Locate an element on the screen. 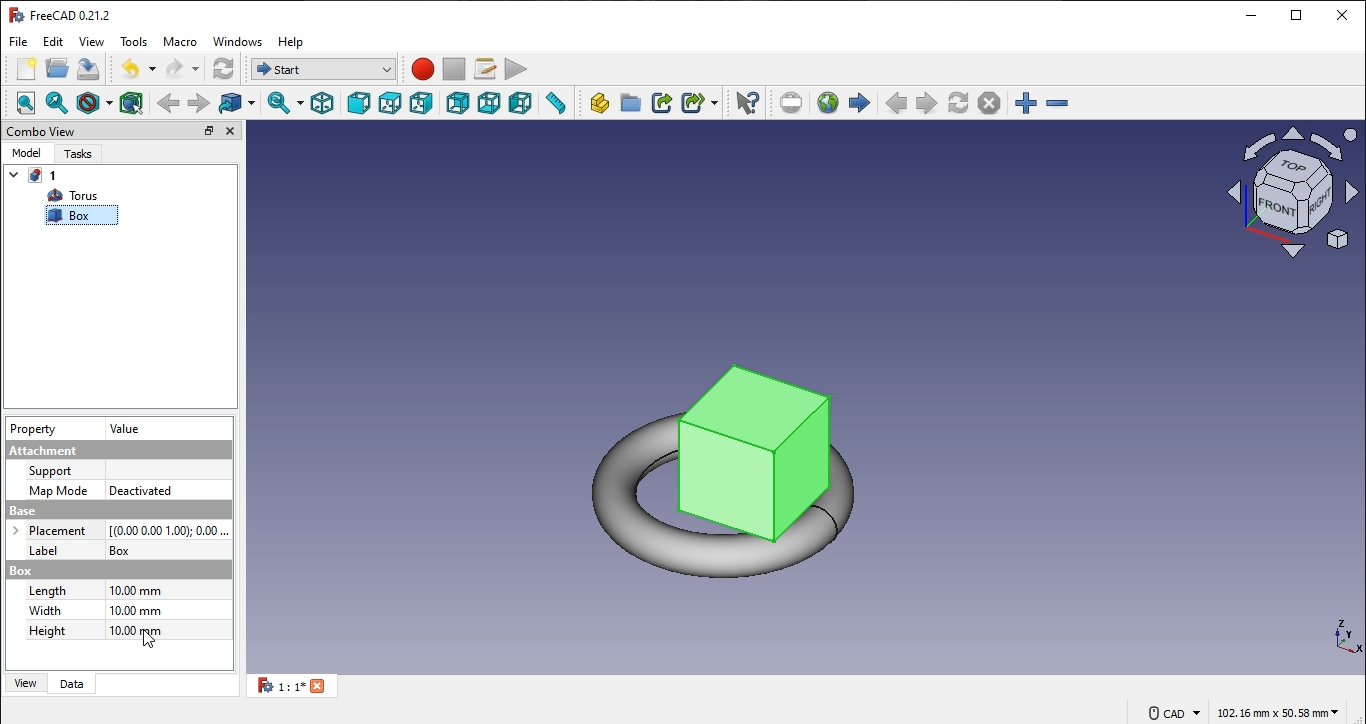 This screenshot has height=724, width=1366. Support Map Mode Deactivated is located at coordinates (115, 479).